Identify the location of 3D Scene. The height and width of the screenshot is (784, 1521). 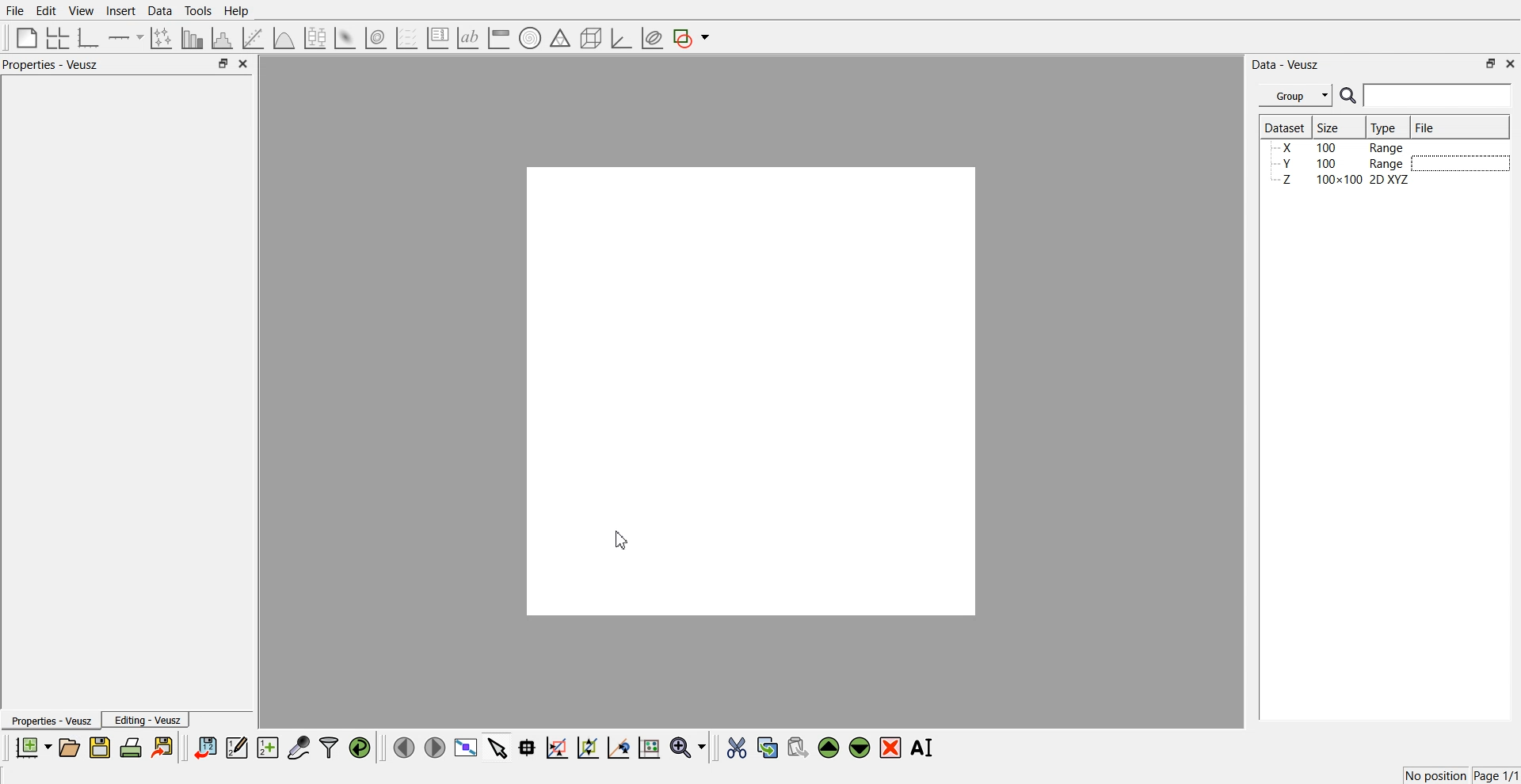
(592, 39).